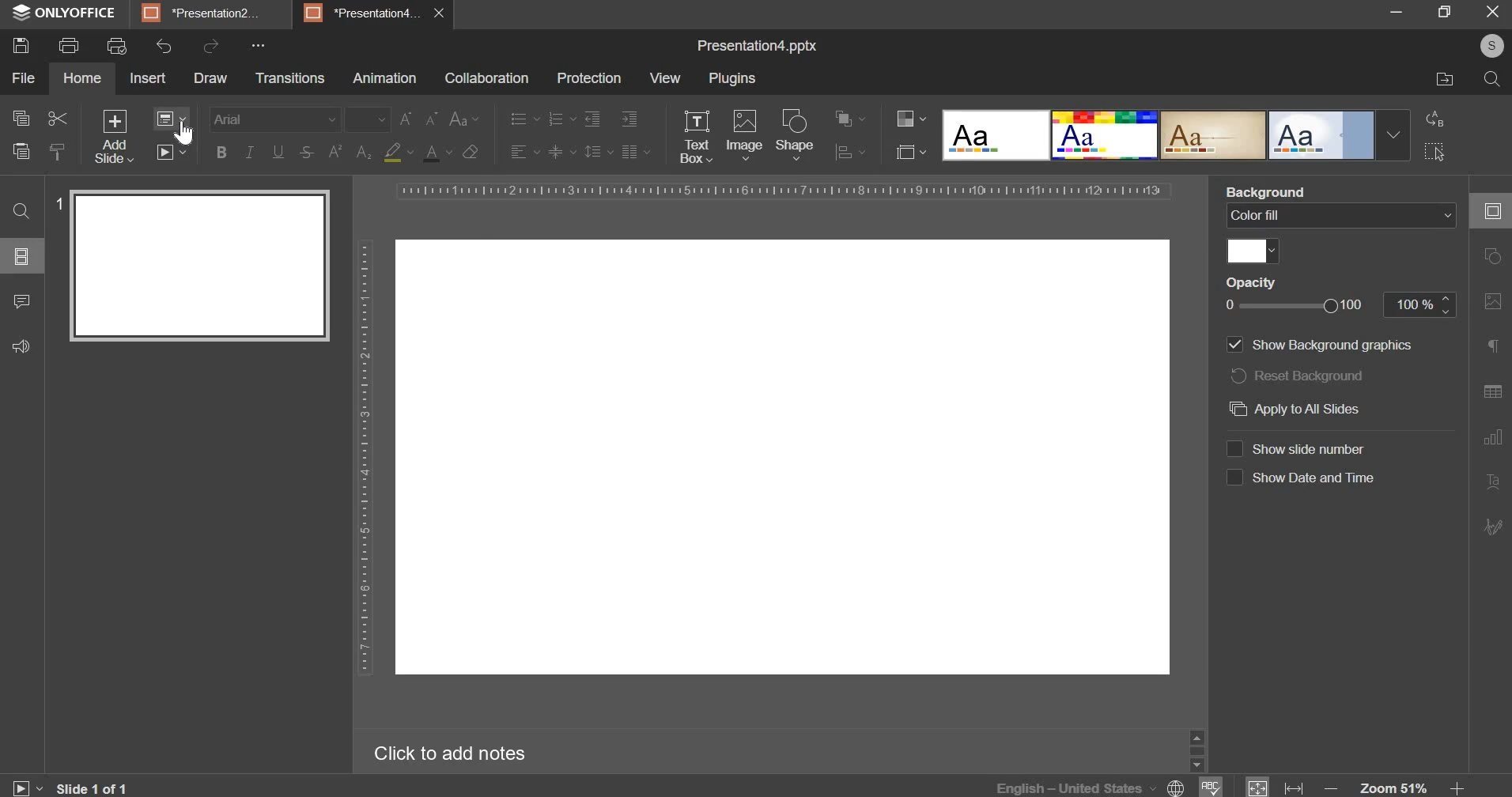  What do you see at coordinates (561, 152) in the screenshot?
I see `vertical alignment` at bounding box center [561, 152].